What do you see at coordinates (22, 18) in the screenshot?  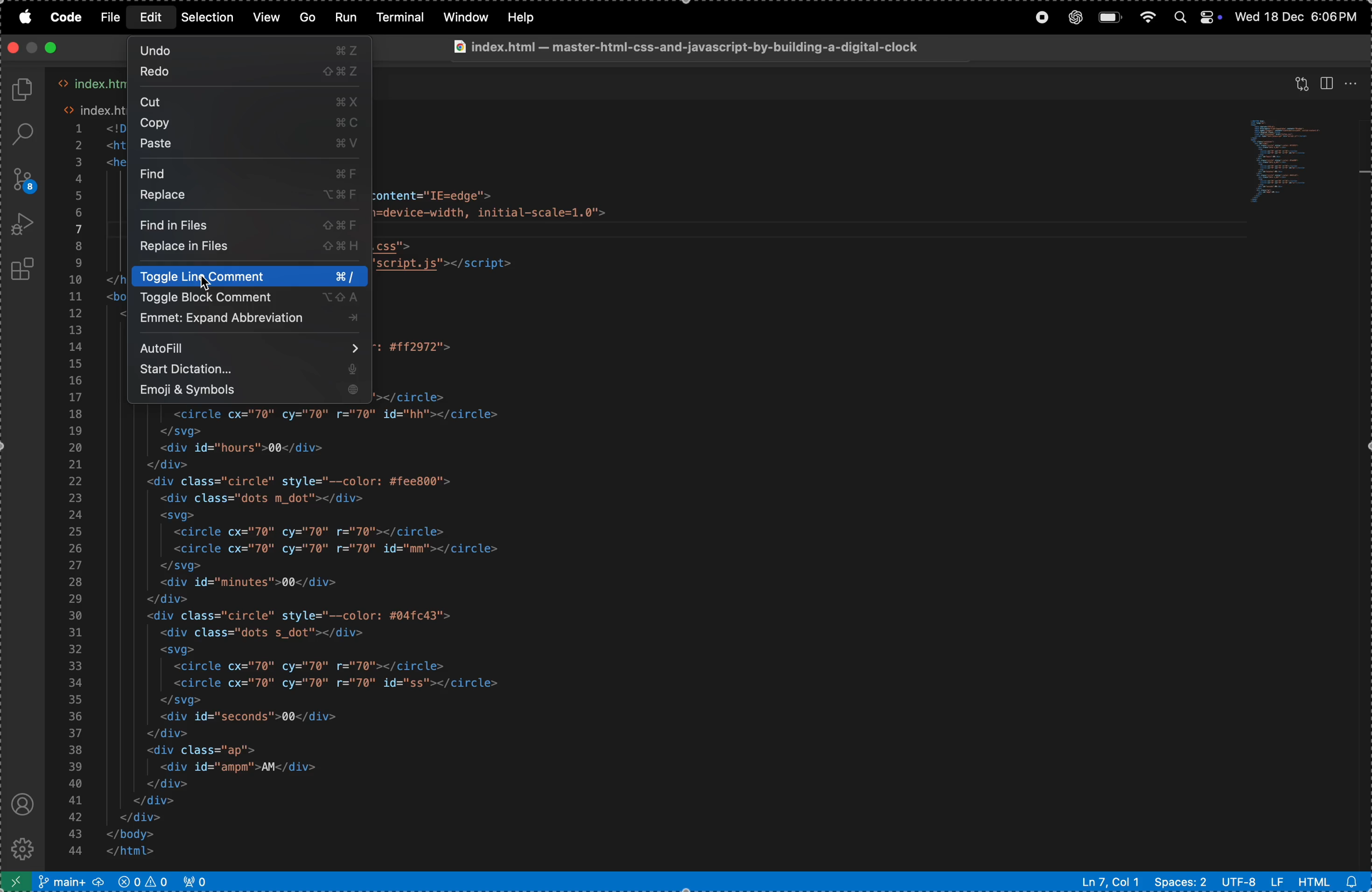 I see `apple menu` at bounding box center [22, 18].